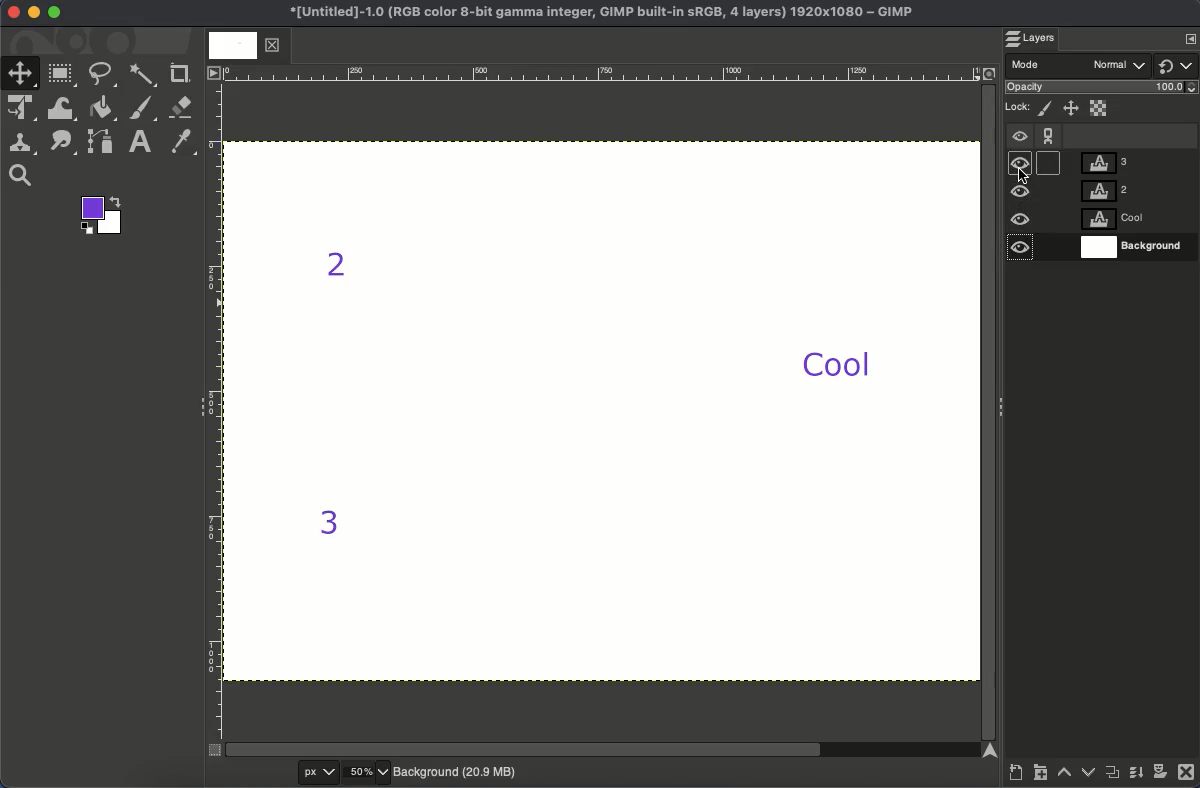  What do you see at coordinates (20, 176) in the screenshot?
I see `Search` at bounding box center [20, 176].